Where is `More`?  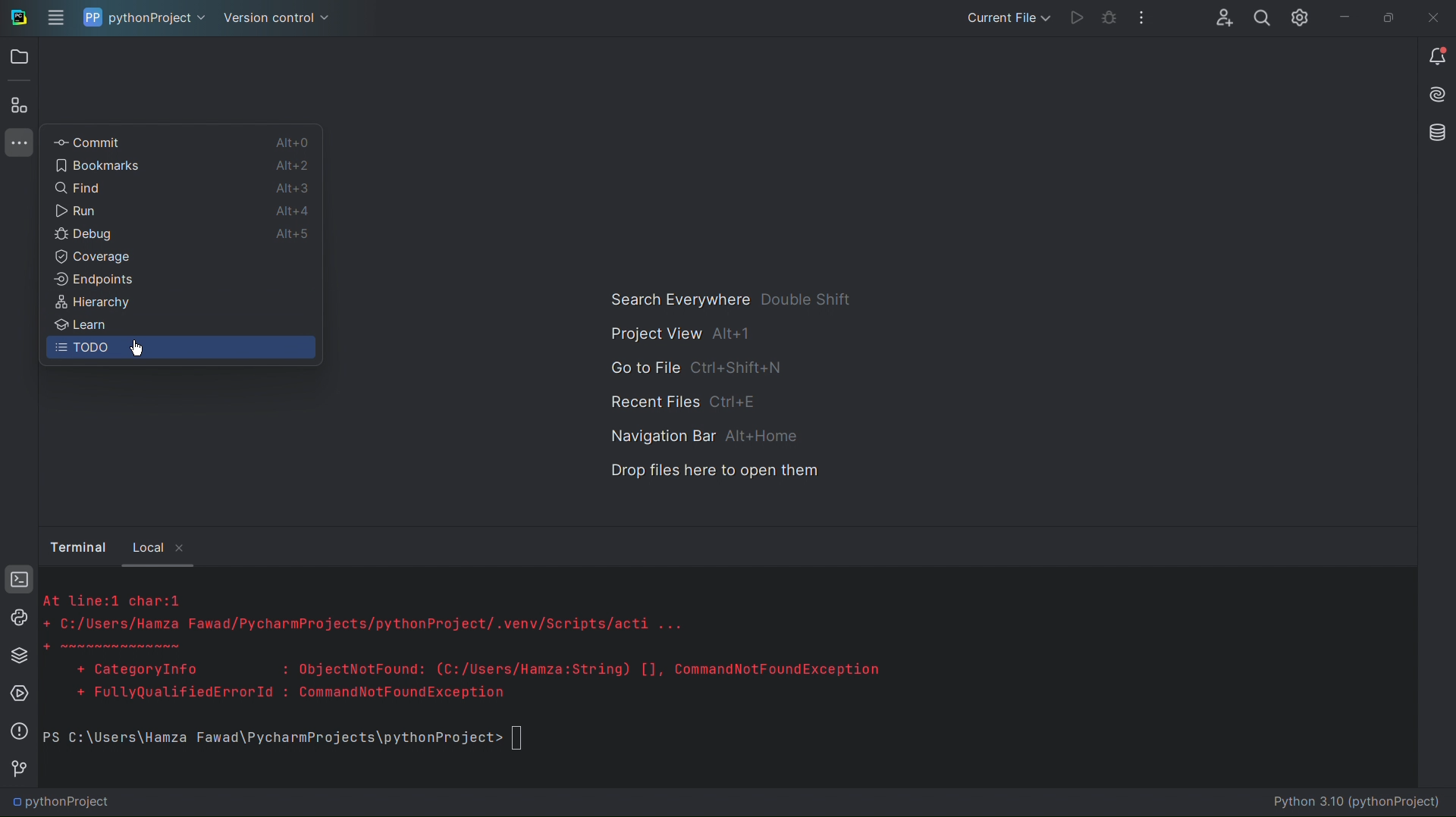 More is located at coordinates (1143, 15).